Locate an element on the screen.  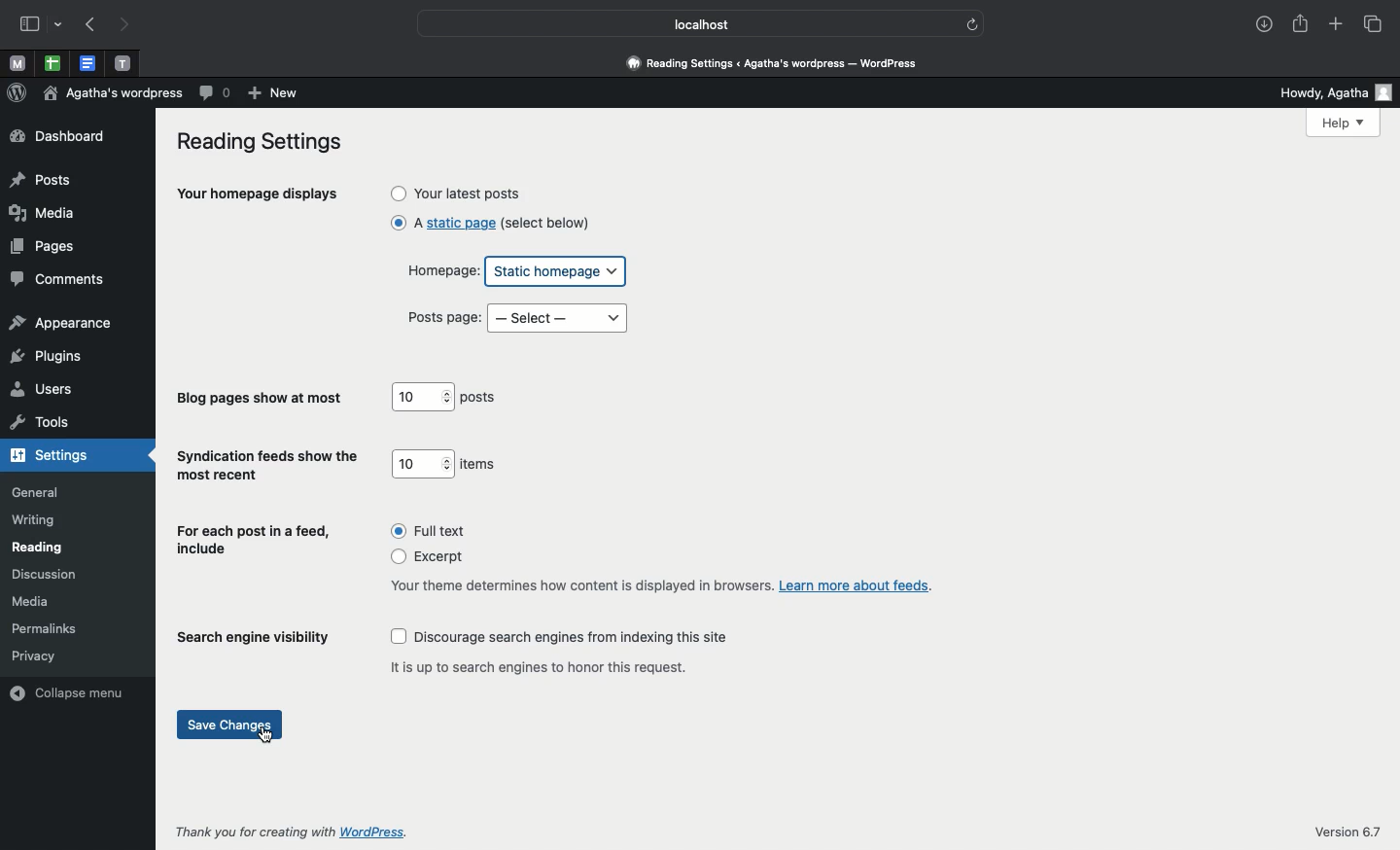
permalinks is located at coordinates (50, 628).